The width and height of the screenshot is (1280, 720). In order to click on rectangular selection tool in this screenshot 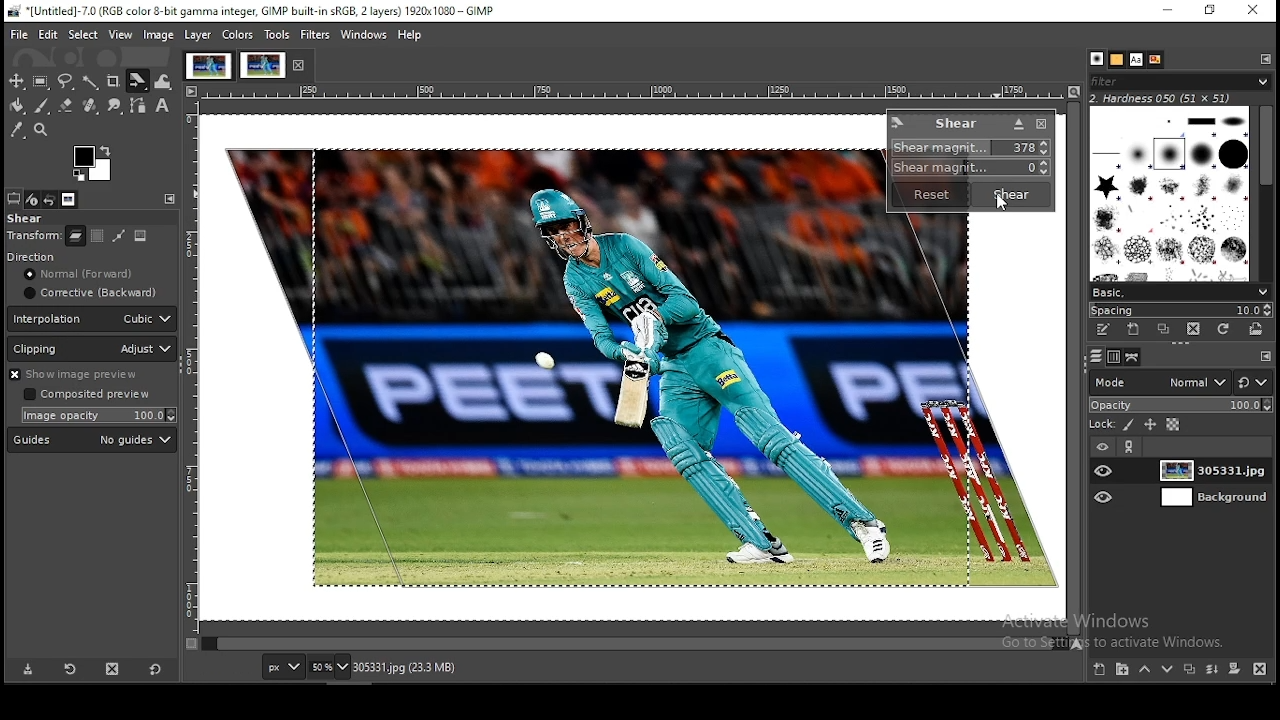, I will do `click(41, 82)`.